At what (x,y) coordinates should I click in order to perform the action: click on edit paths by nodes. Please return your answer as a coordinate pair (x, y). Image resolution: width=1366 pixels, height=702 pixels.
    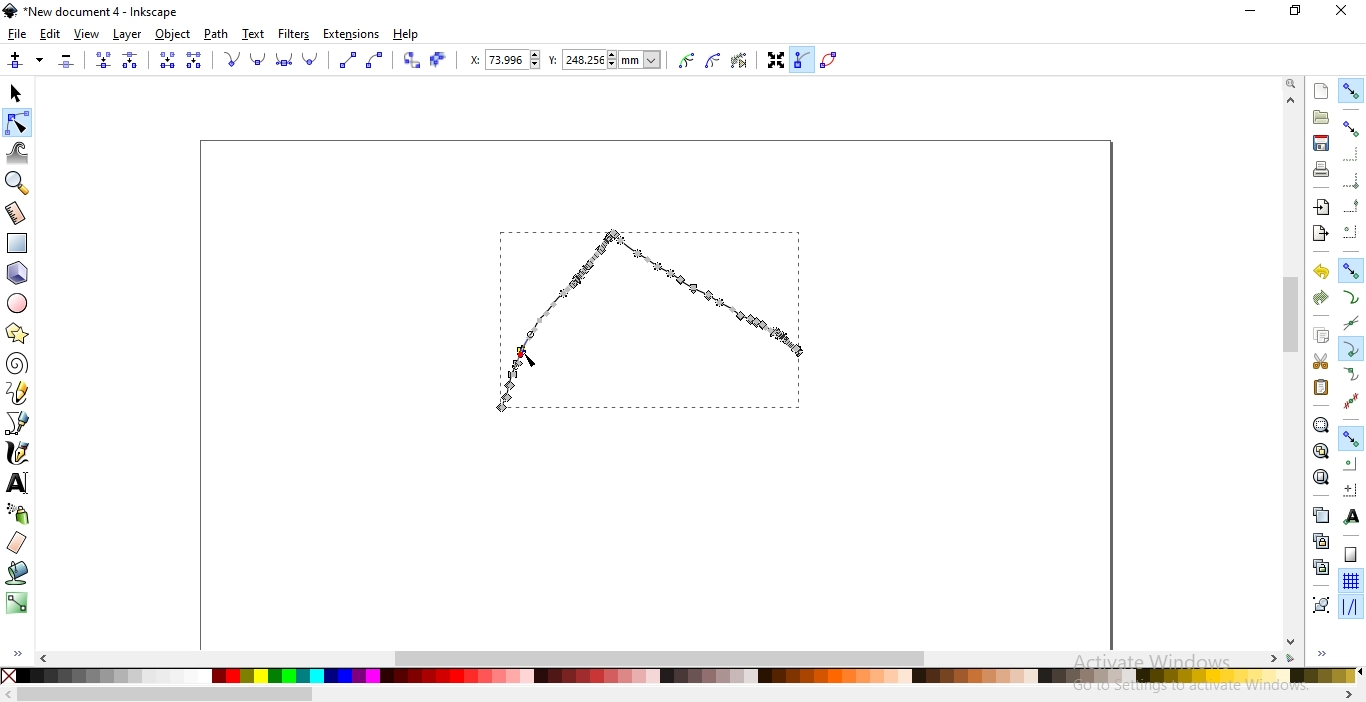
    Looking at the image, I should click on (16, 124).